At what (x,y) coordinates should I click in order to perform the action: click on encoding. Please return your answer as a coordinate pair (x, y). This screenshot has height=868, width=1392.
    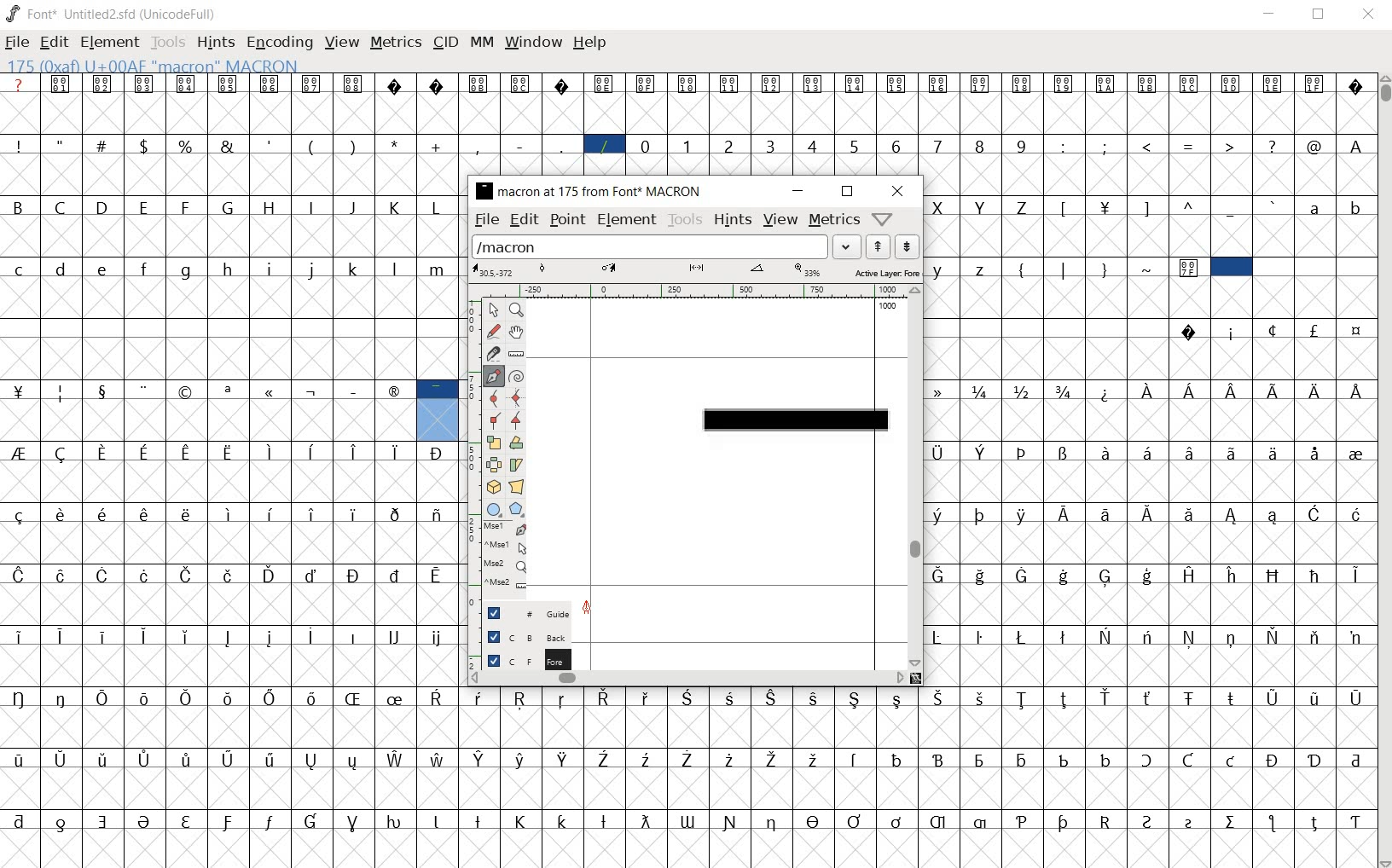
    Looking at the image, I should click on (279, 43).